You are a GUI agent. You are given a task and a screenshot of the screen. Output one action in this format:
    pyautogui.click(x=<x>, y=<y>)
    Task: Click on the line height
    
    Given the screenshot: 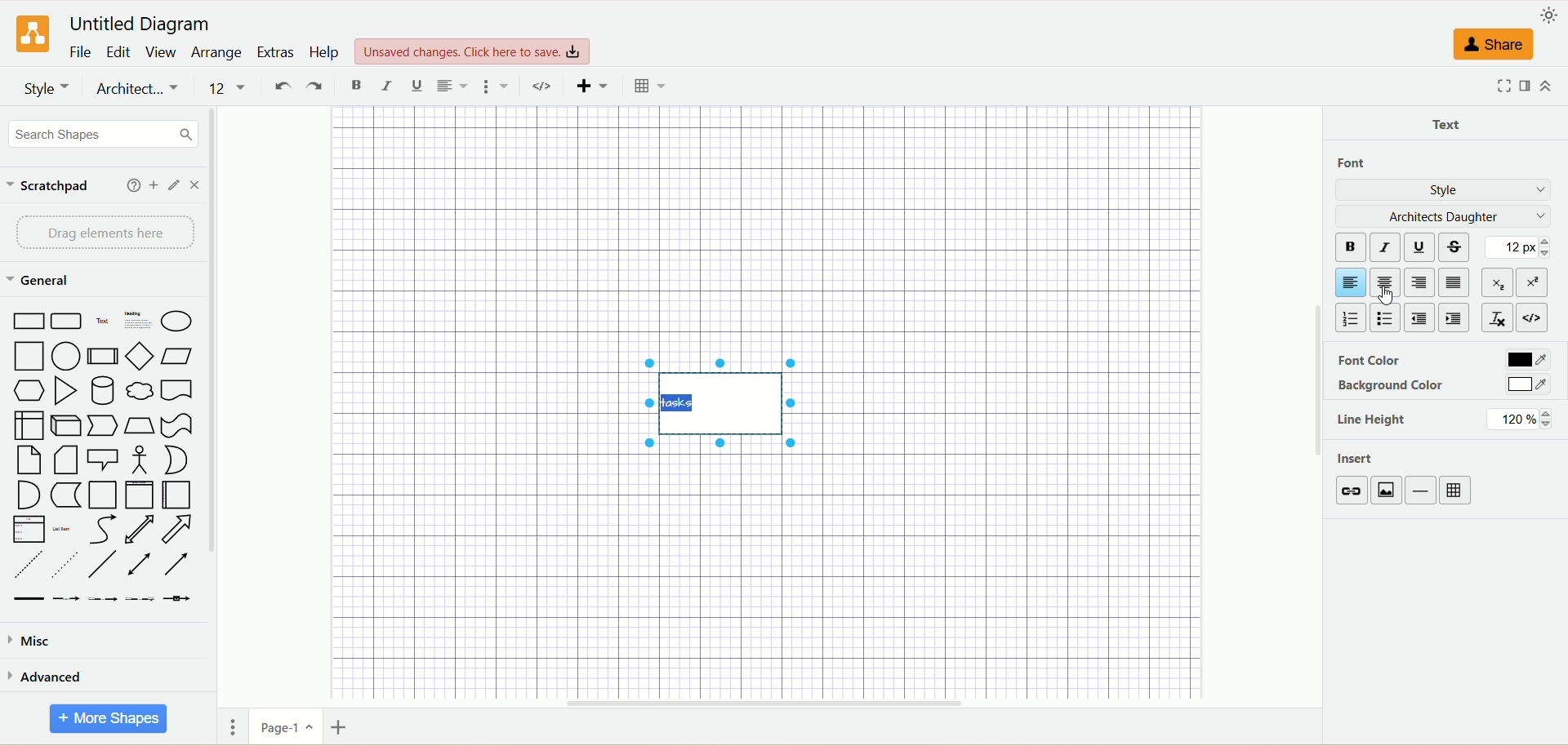 What is the action you would take?
    pyautogui.click(x=1373, y=421)
    